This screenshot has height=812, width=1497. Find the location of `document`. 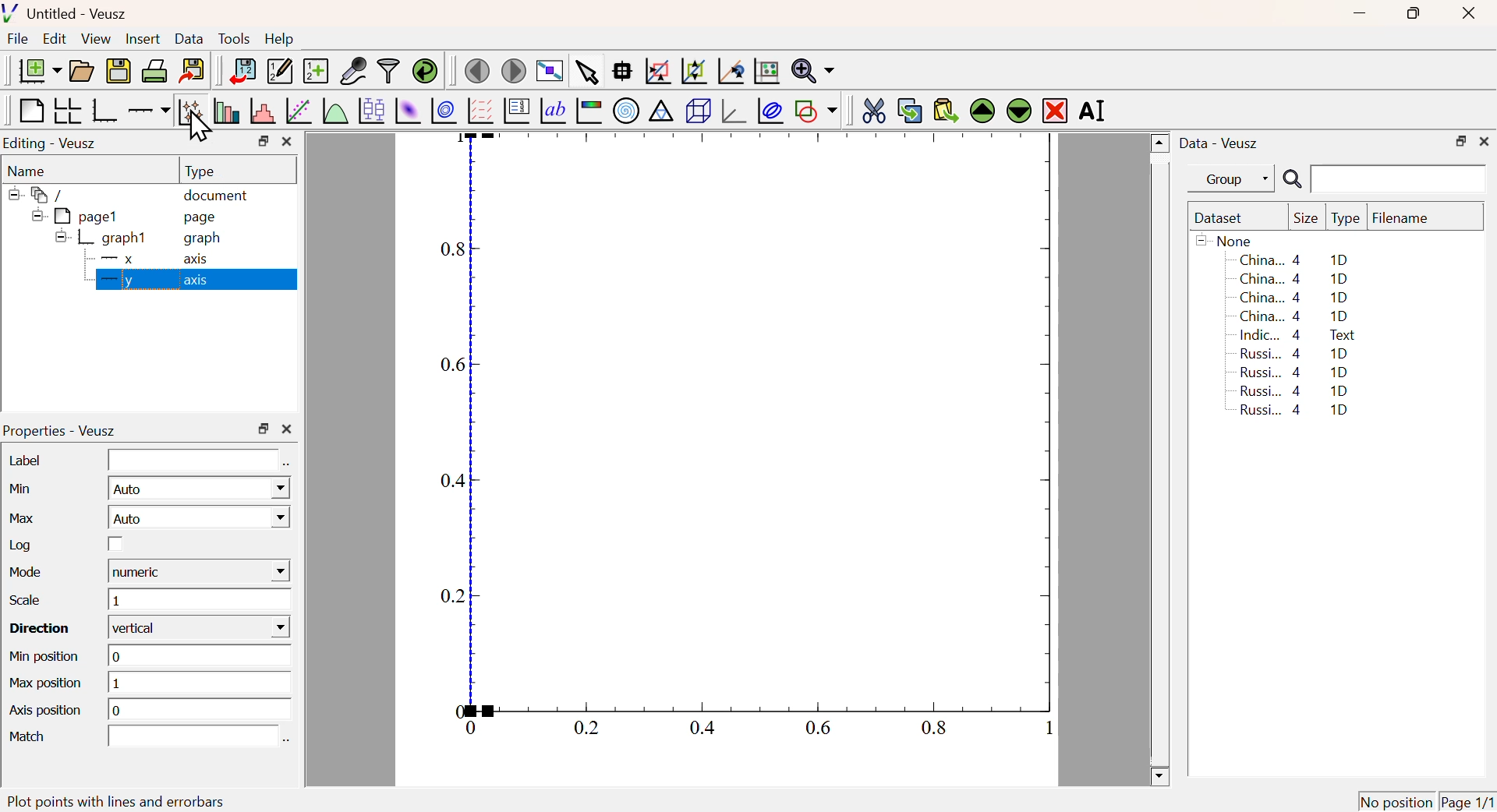

document is located at coordinates (217, 197).